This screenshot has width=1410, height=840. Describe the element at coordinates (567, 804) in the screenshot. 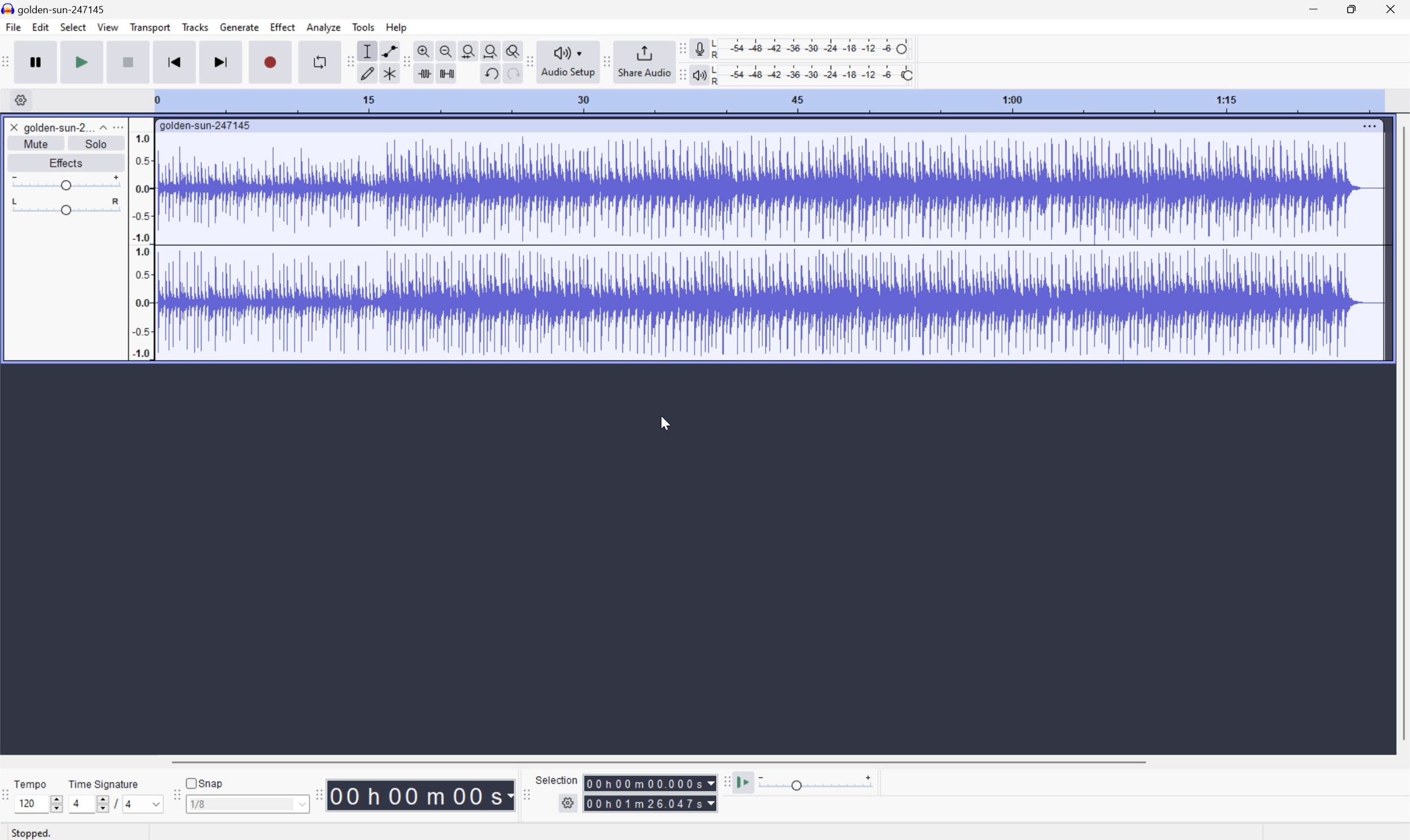

I see `Settings` at that location.